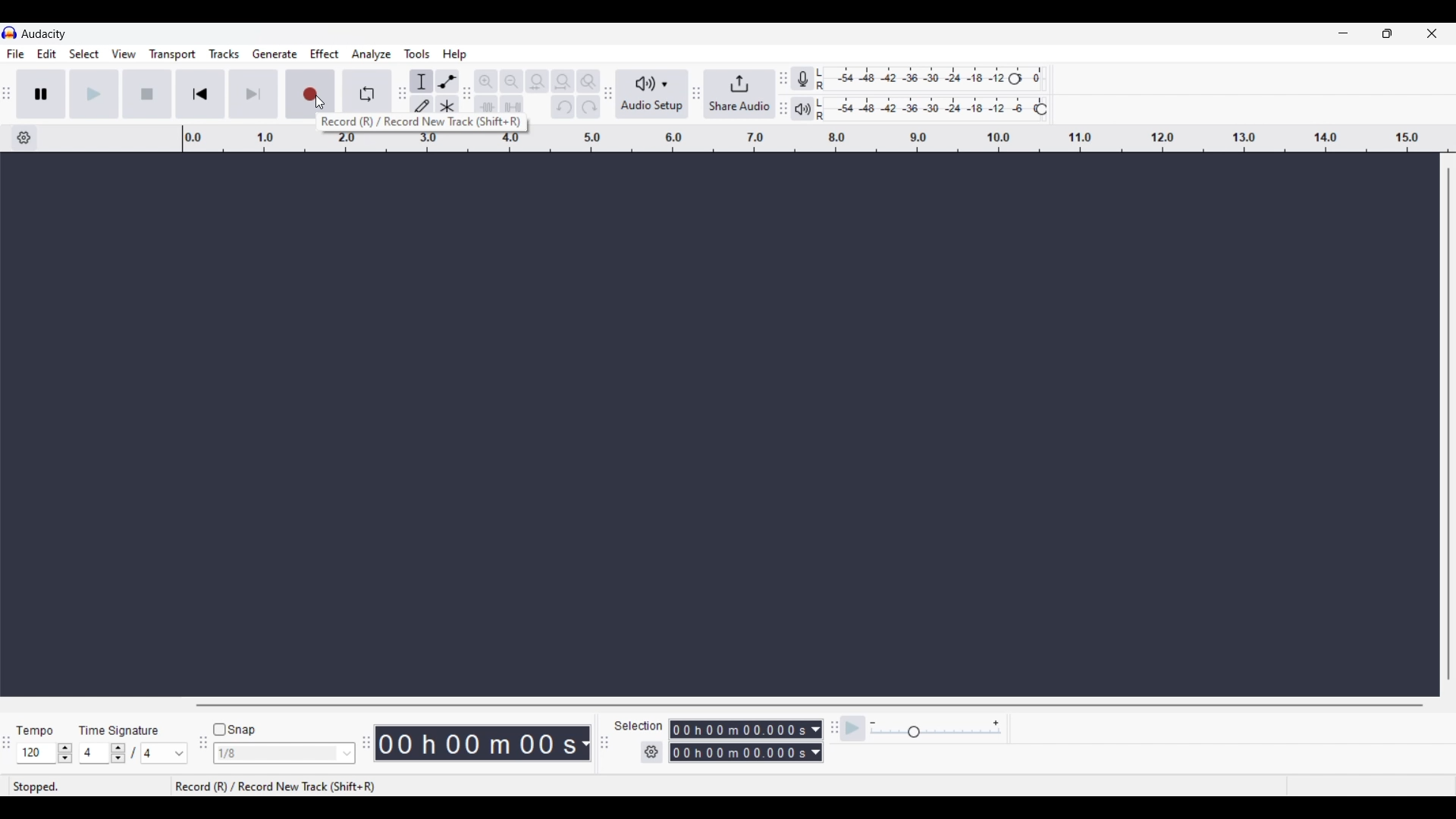  What do you see at coordinates (201, 94) in the screenshot?
I see `Skip/Select to start` at bounding box center [201, 94].